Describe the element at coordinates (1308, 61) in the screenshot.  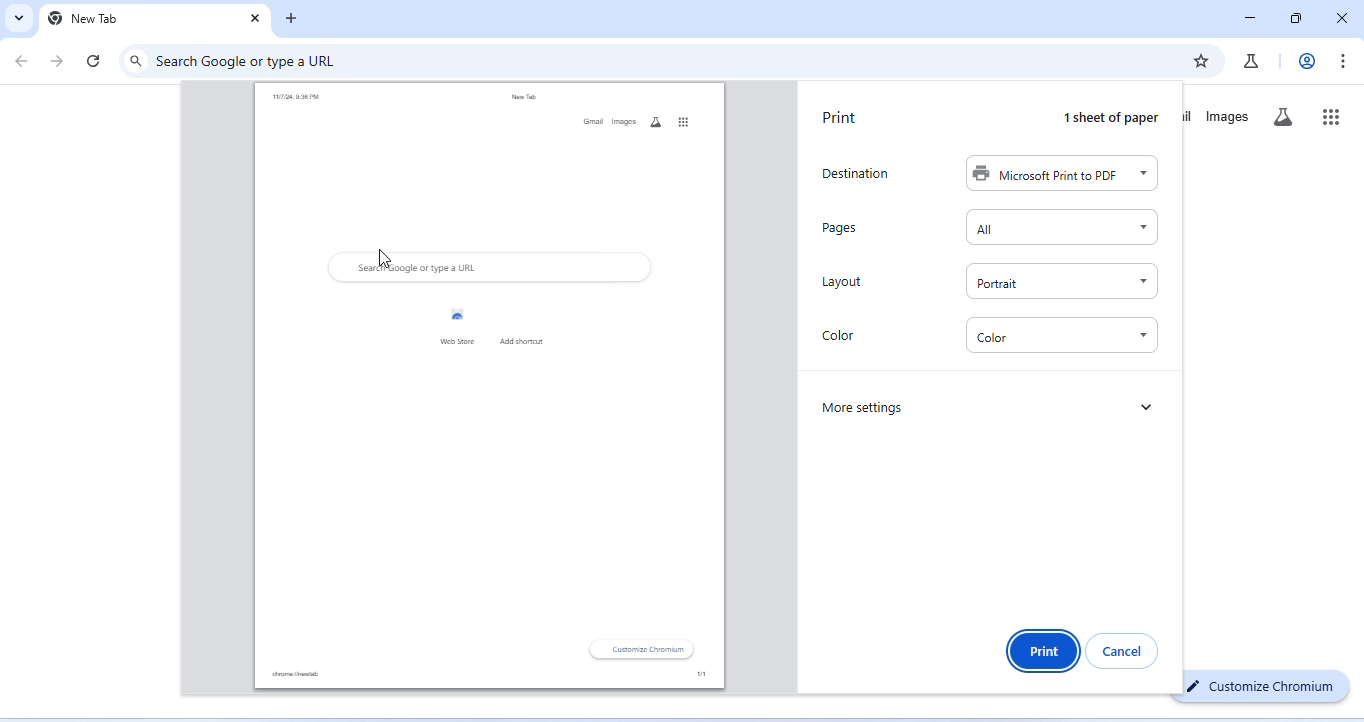
I see `account` at that location.